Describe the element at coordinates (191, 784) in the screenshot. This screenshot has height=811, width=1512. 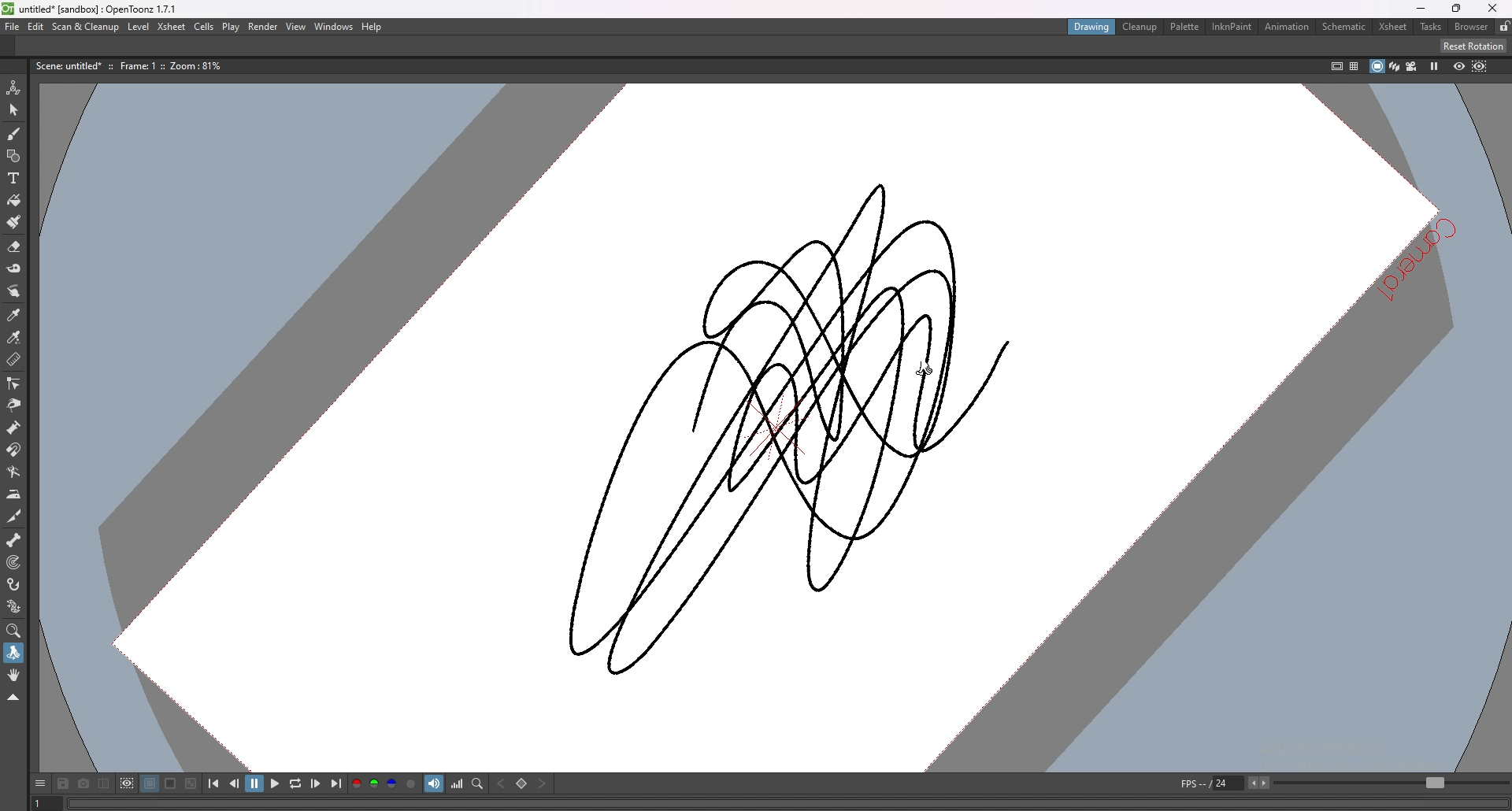
I see `checkered background` at that location.